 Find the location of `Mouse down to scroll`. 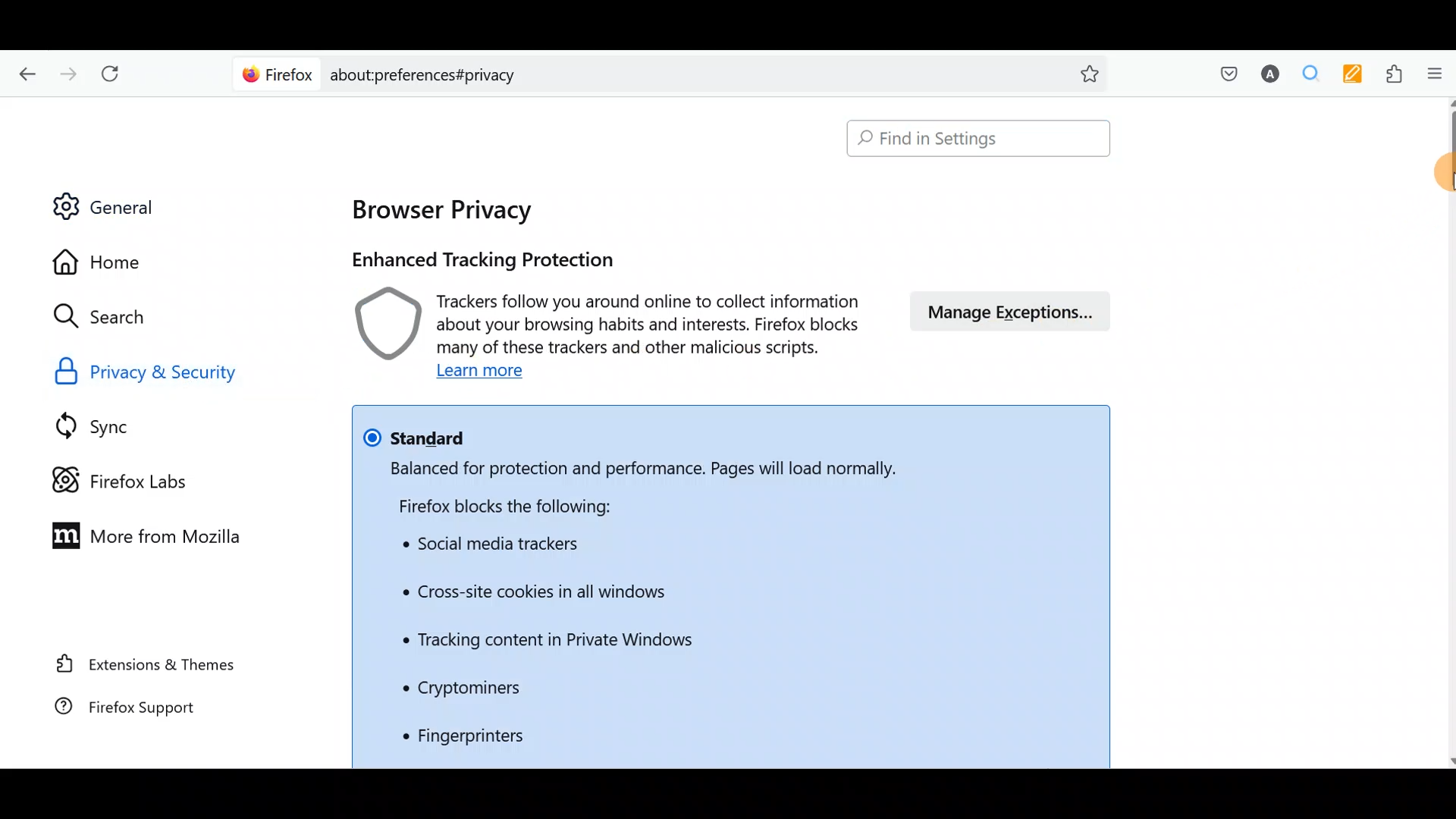

Mouse down to scroll is located at coordinates (1438, 177).